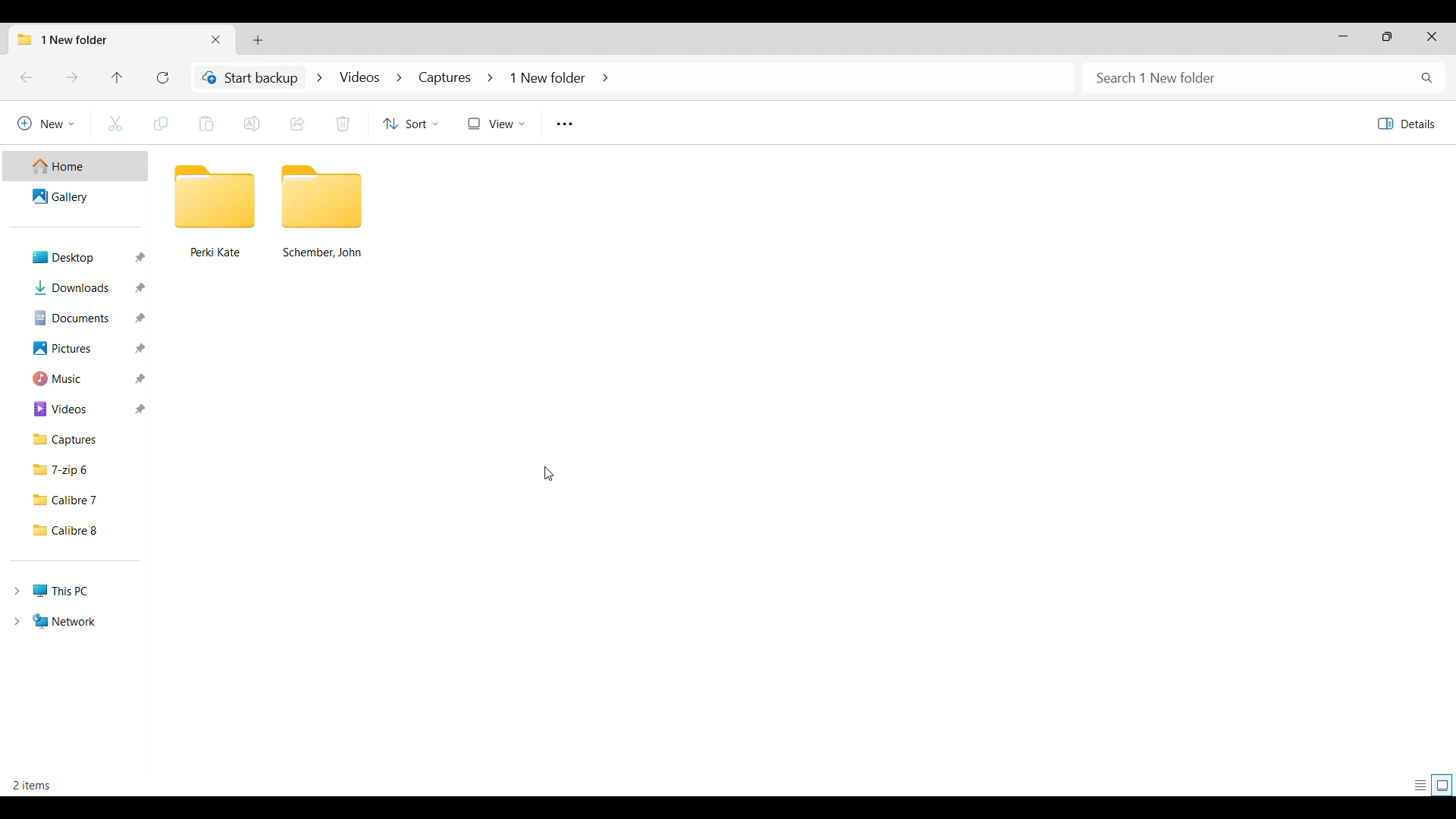 The width and height of the screenshot is (1456, 819). What do you see at coordinates (548, 473) in the screenshot?
I see `Cursor position unchanged` at bounding box center [548, 473].